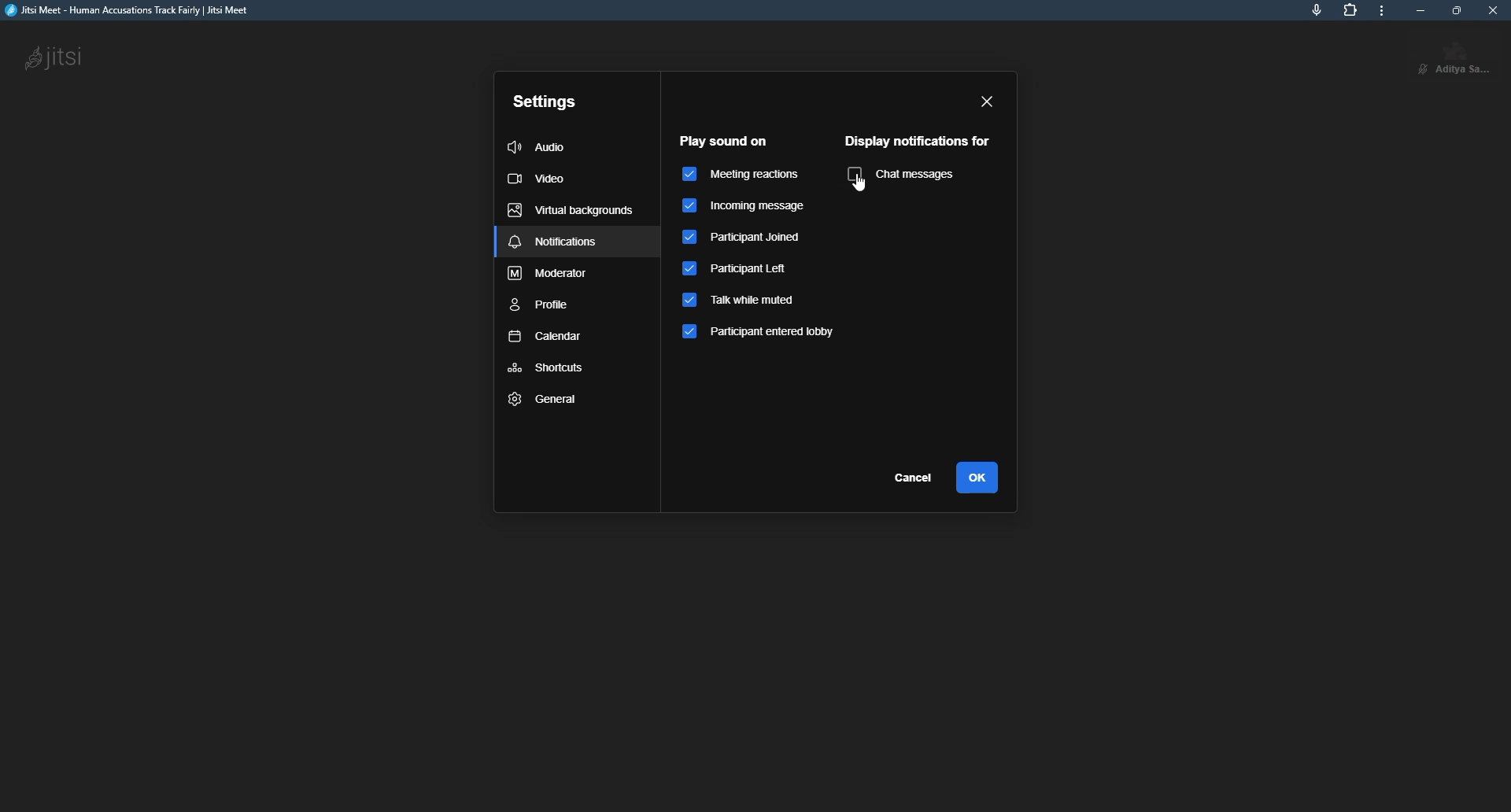  I want to click on shortcuts, so click(546, 368).